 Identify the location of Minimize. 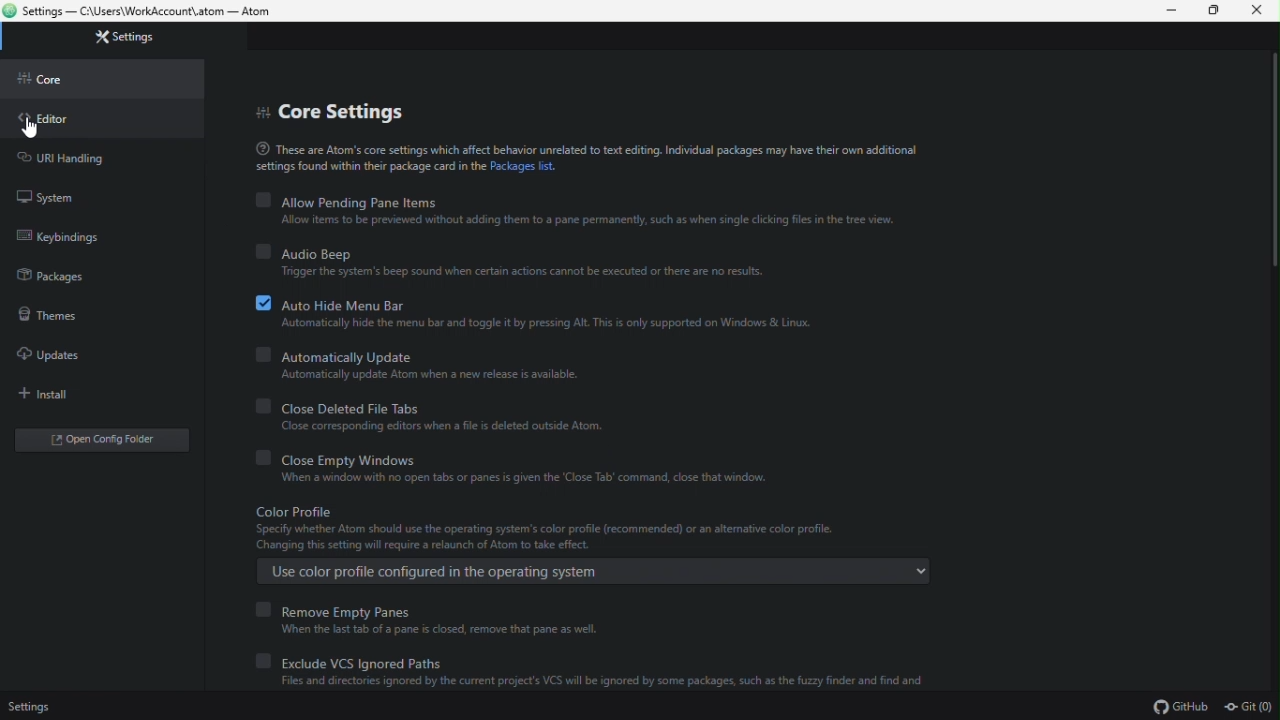
(1165, 12).